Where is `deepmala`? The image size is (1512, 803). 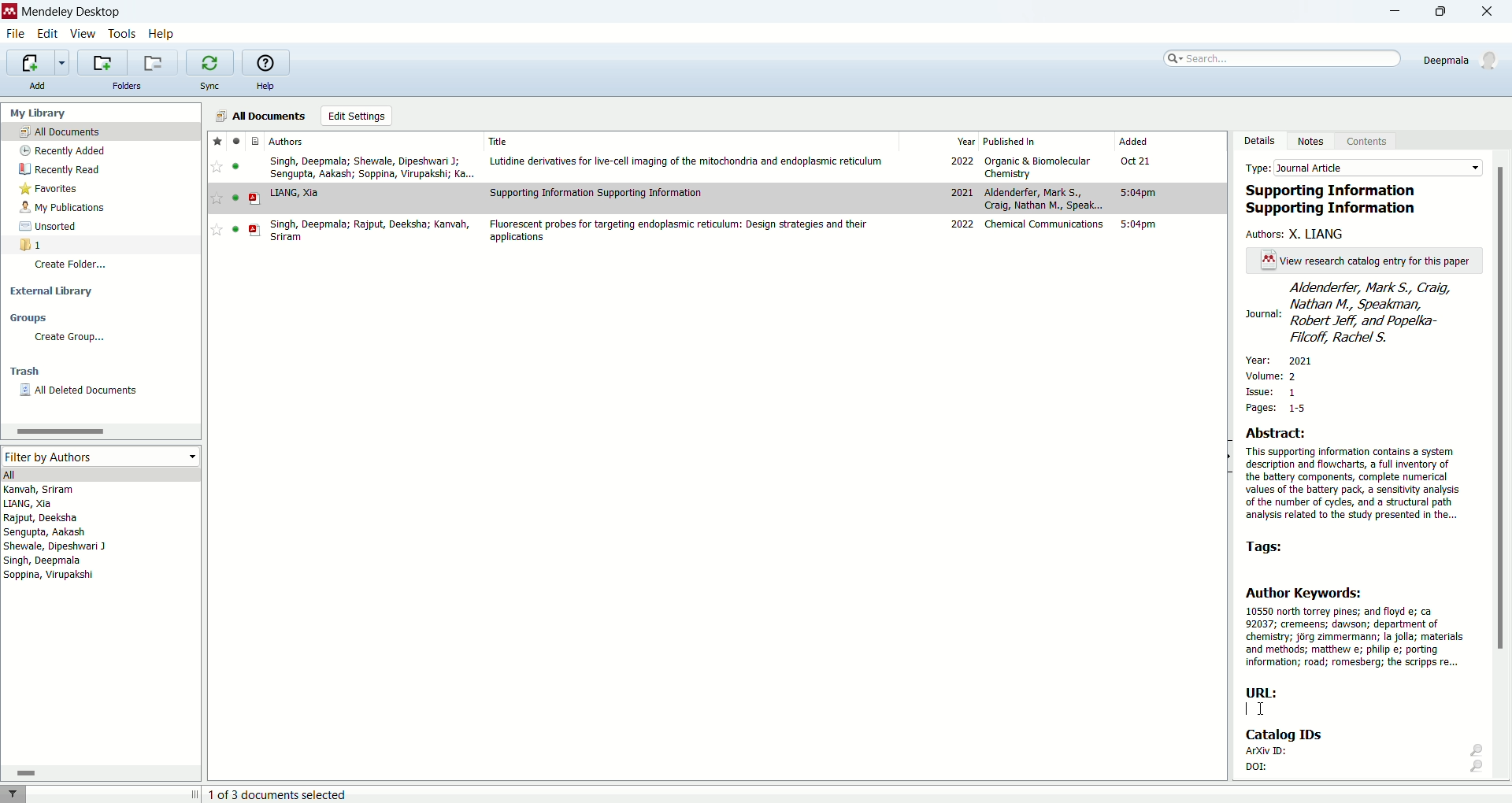 deepmala is located at coordinates (1464, 63).